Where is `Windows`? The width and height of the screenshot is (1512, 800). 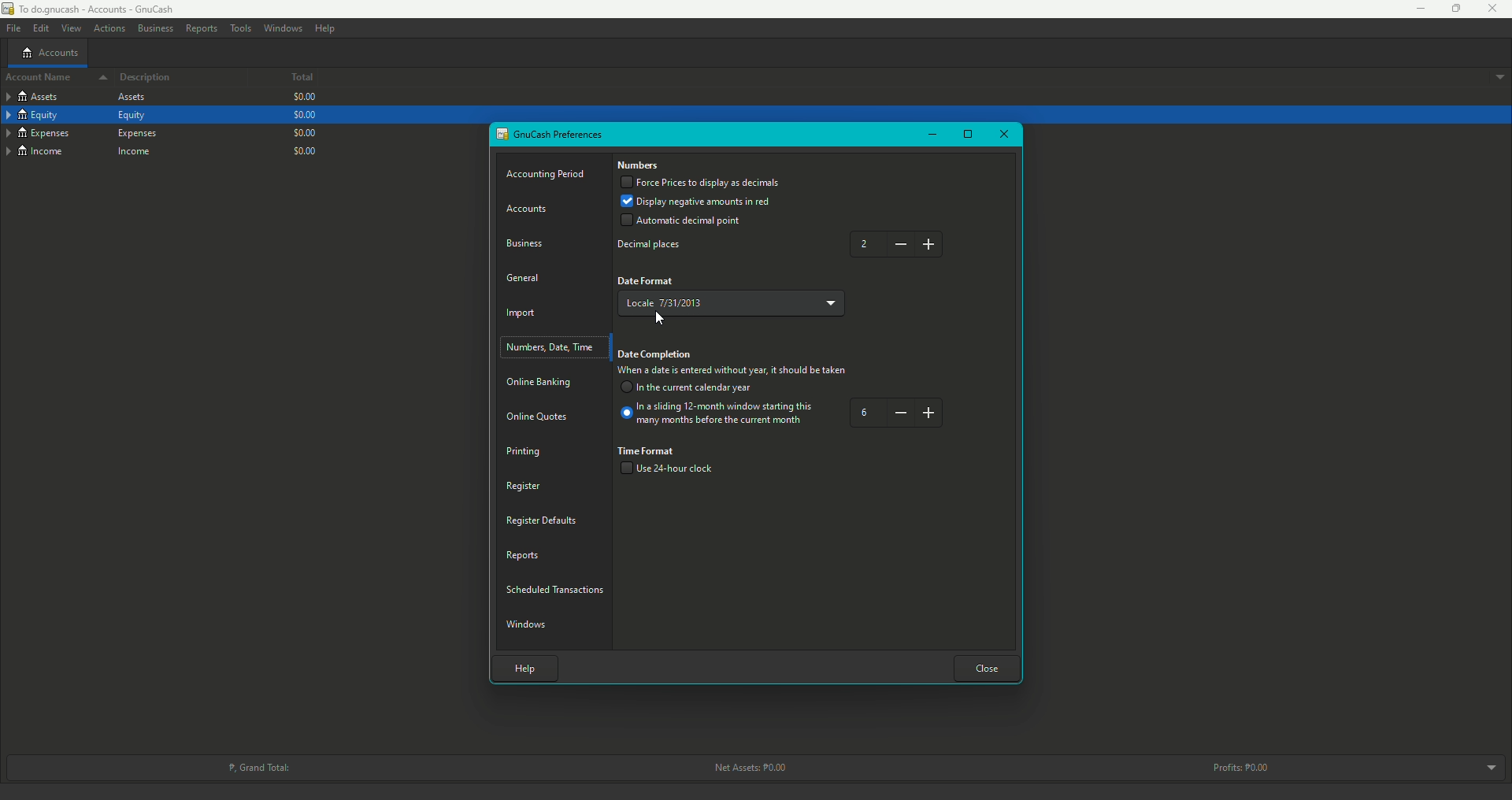
Windows is located at coordinates (283, 28).